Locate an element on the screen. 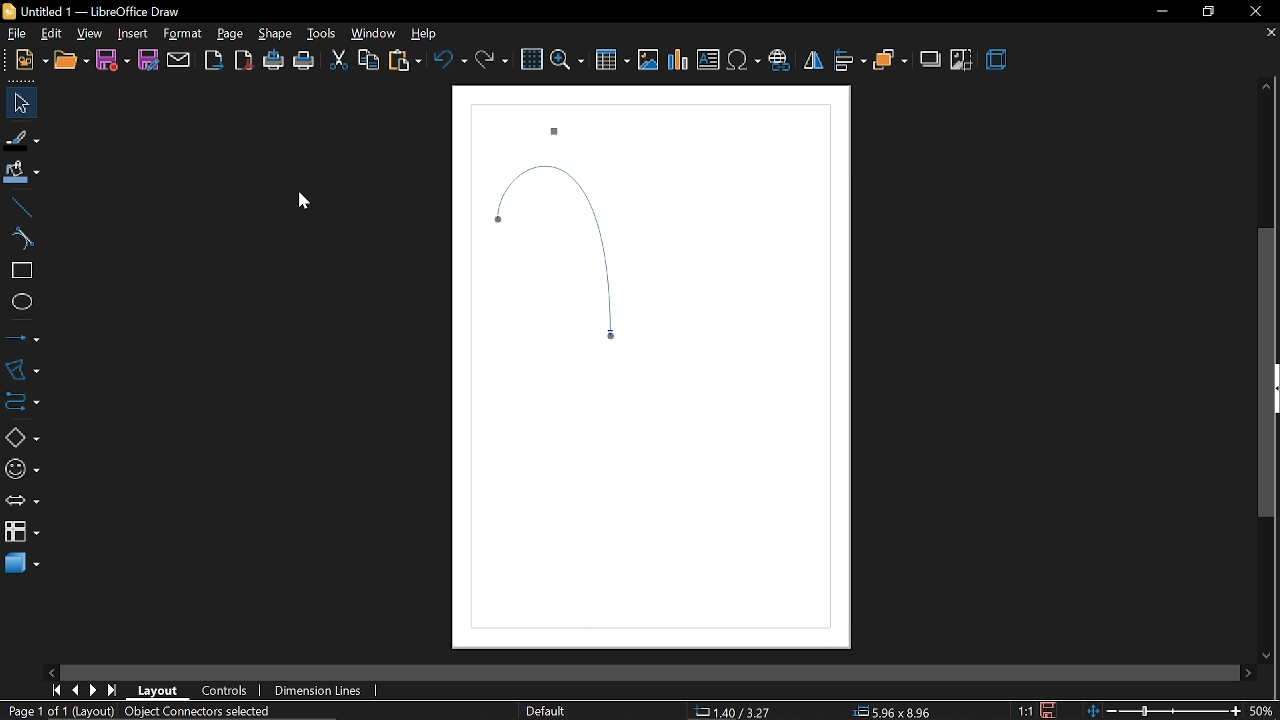 This screenshot has height=720, width=1280. next page is located at coordinates (93, 690).